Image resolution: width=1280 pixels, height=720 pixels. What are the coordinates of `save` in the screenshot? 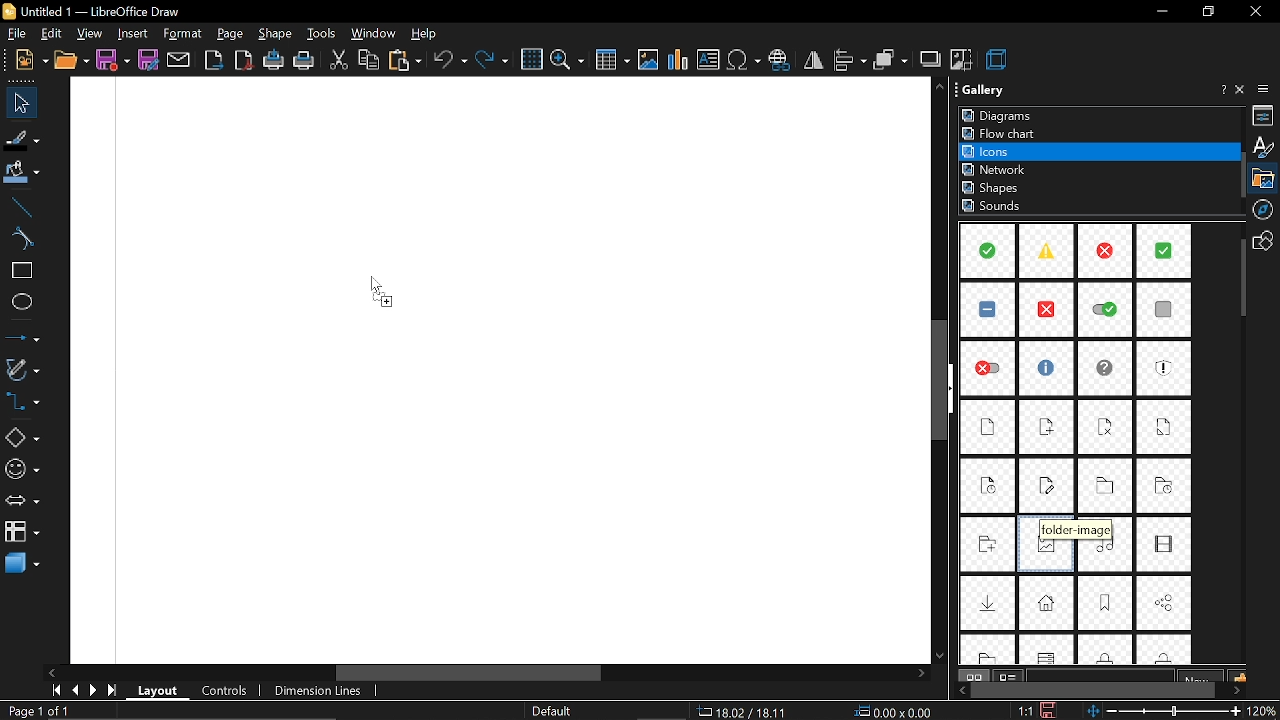 It's located at (112, 60).